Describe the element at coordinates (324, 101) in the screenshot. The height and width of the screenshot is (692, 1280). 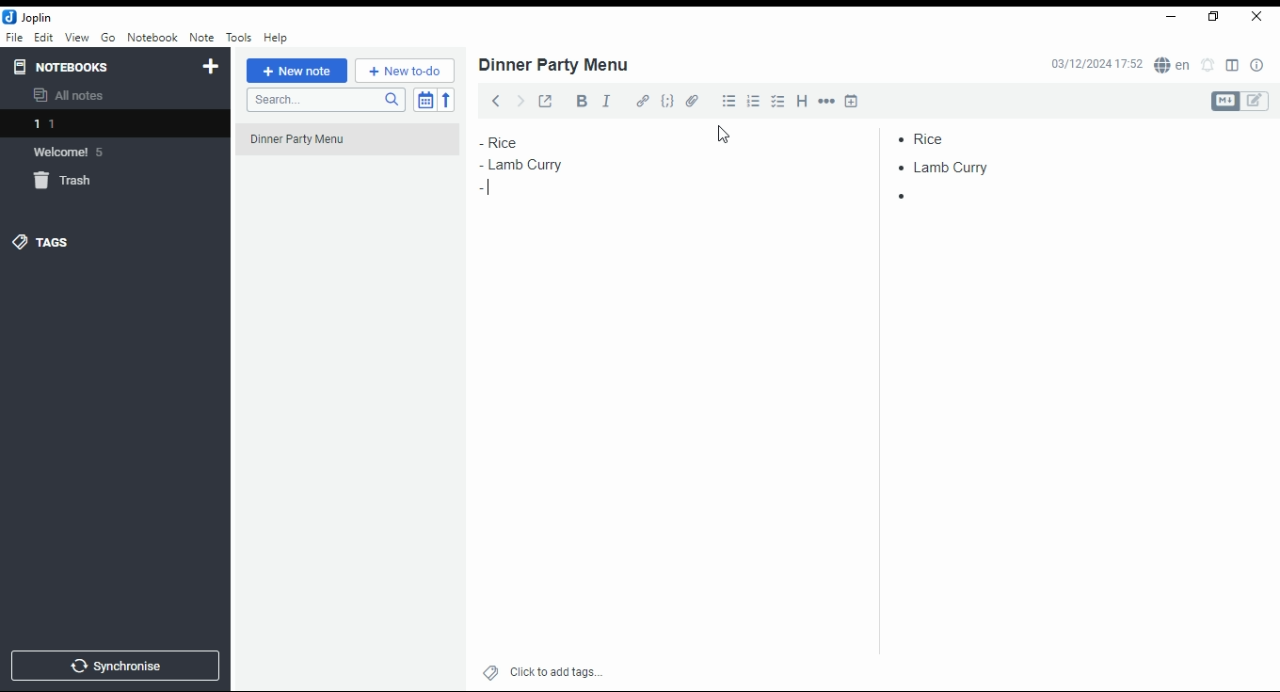
I see `search notes` at that location.